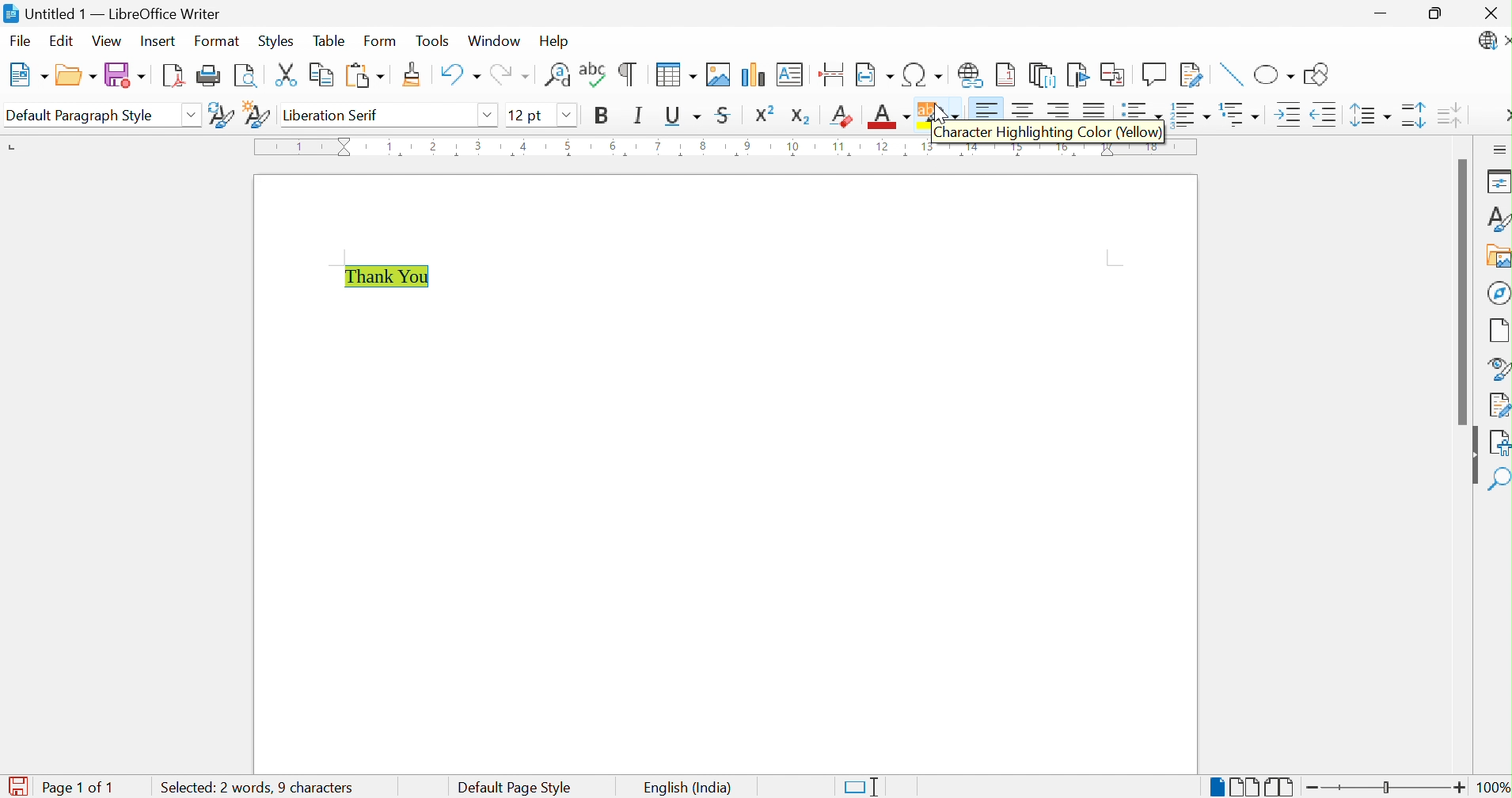 The width and height of the screenshot is (1512, 798). I want to click on Thank You, so click(391, 277).